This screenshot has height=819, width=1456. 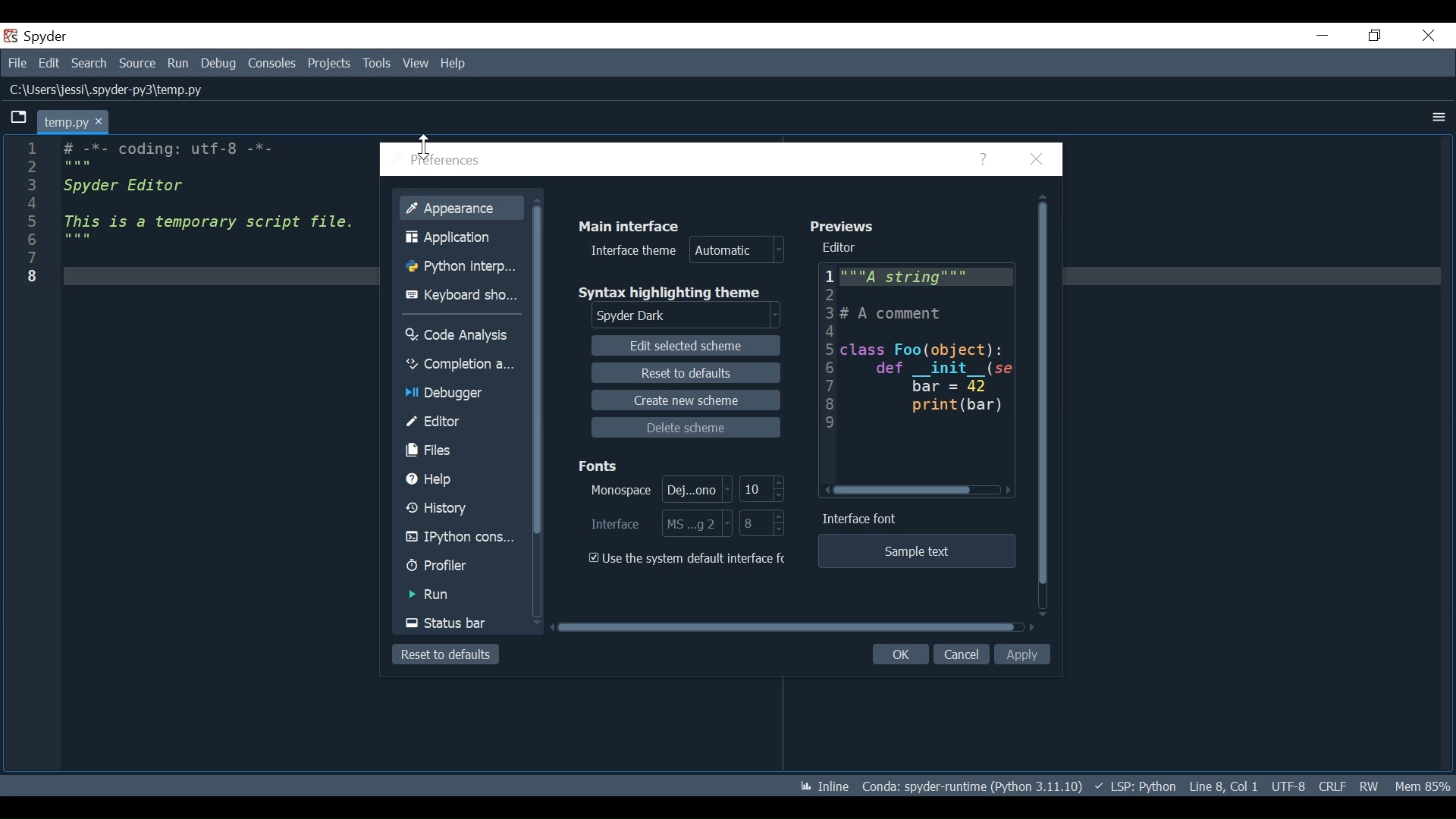 What do you see at coordinates (1039, 160) in the screenshot?
I see `Close` at bounding box center [1039, 160].